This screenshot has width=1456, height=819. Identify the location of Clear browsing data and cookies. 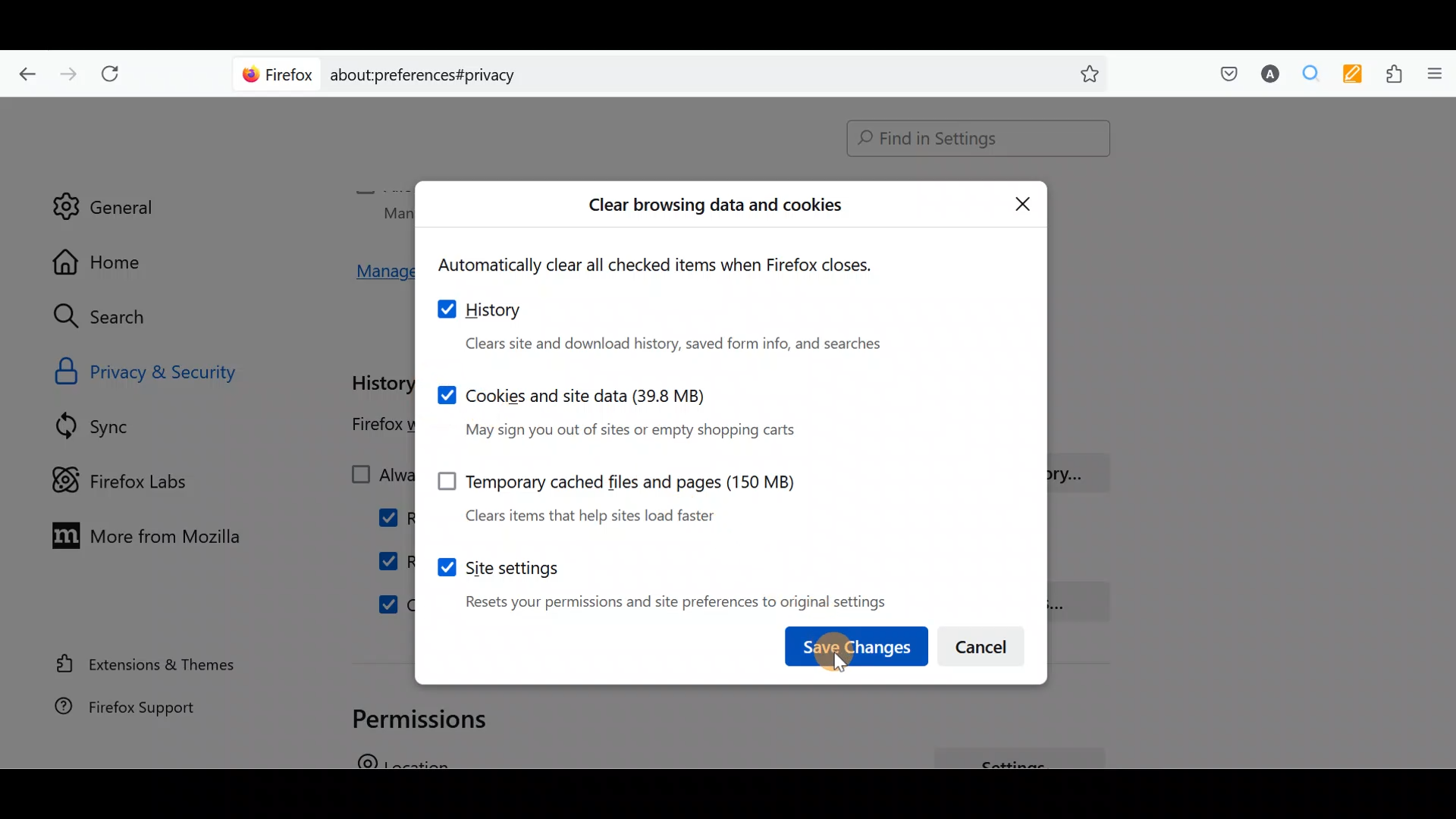
(717, 209).